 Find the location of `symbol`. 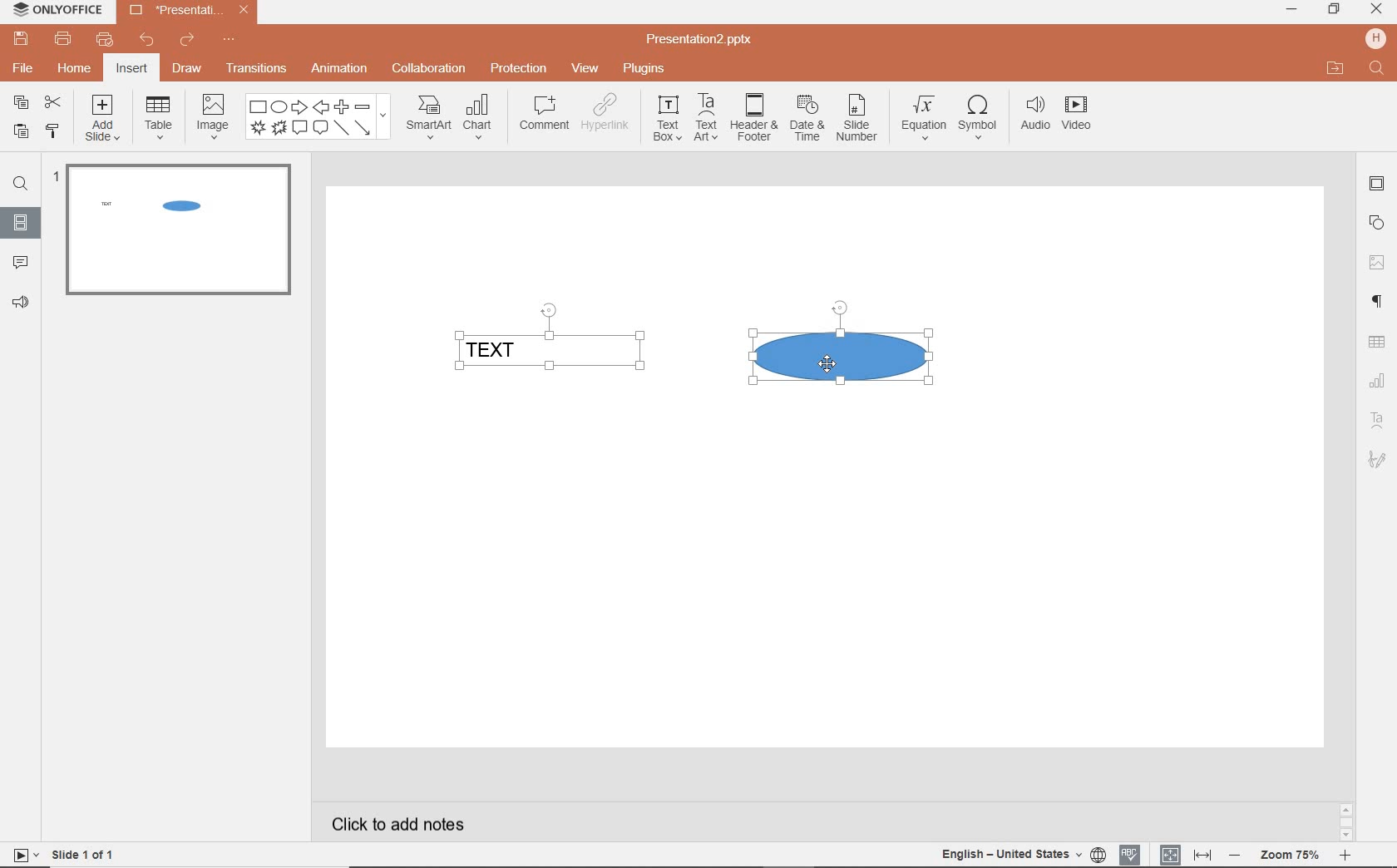

symbol is located at coordinates (975, 121).